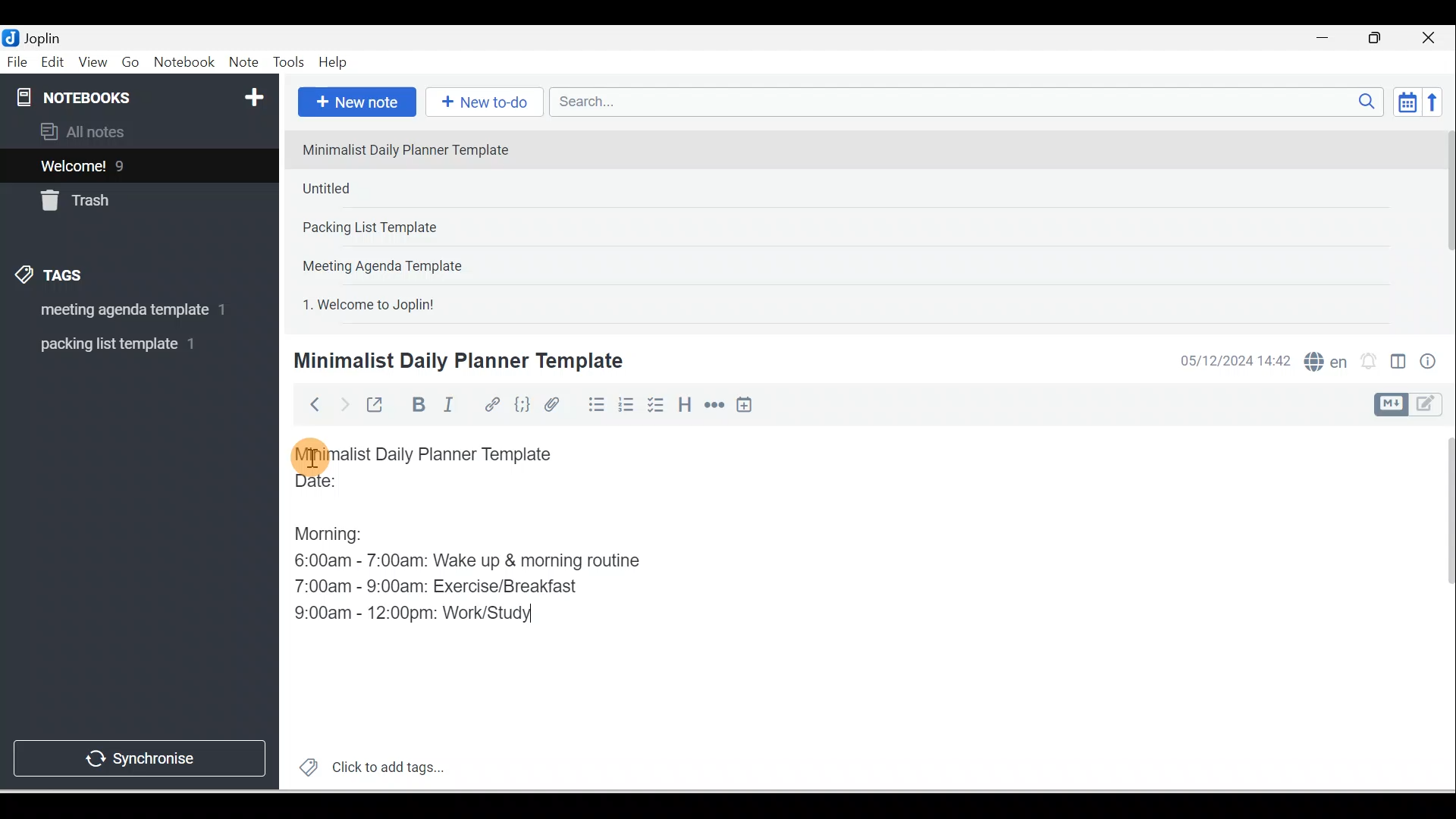 The width and height of the screenshot is (1456, 819). What do you see at coordinates (133, 63) in the screenshot?
I see `Go` at bounding box center [133, 63].